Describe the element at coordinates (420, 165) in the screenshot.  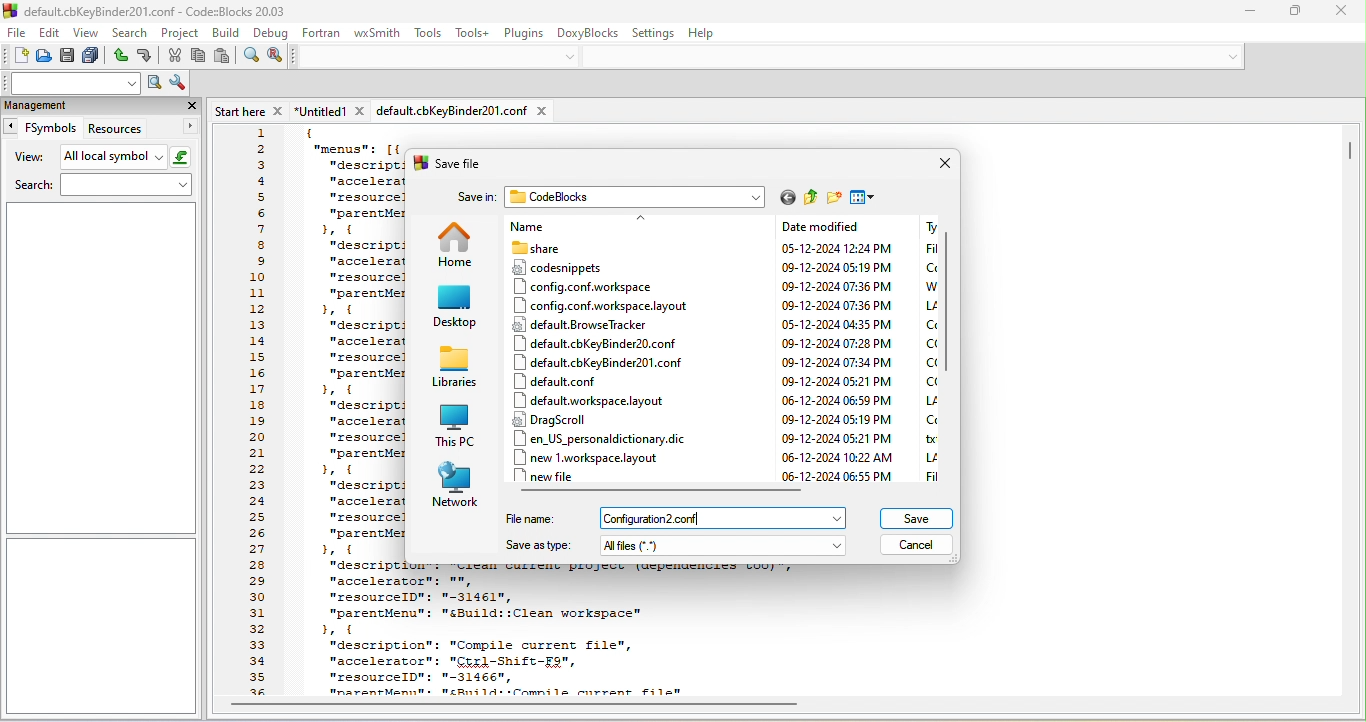
I see `icon` at that location.